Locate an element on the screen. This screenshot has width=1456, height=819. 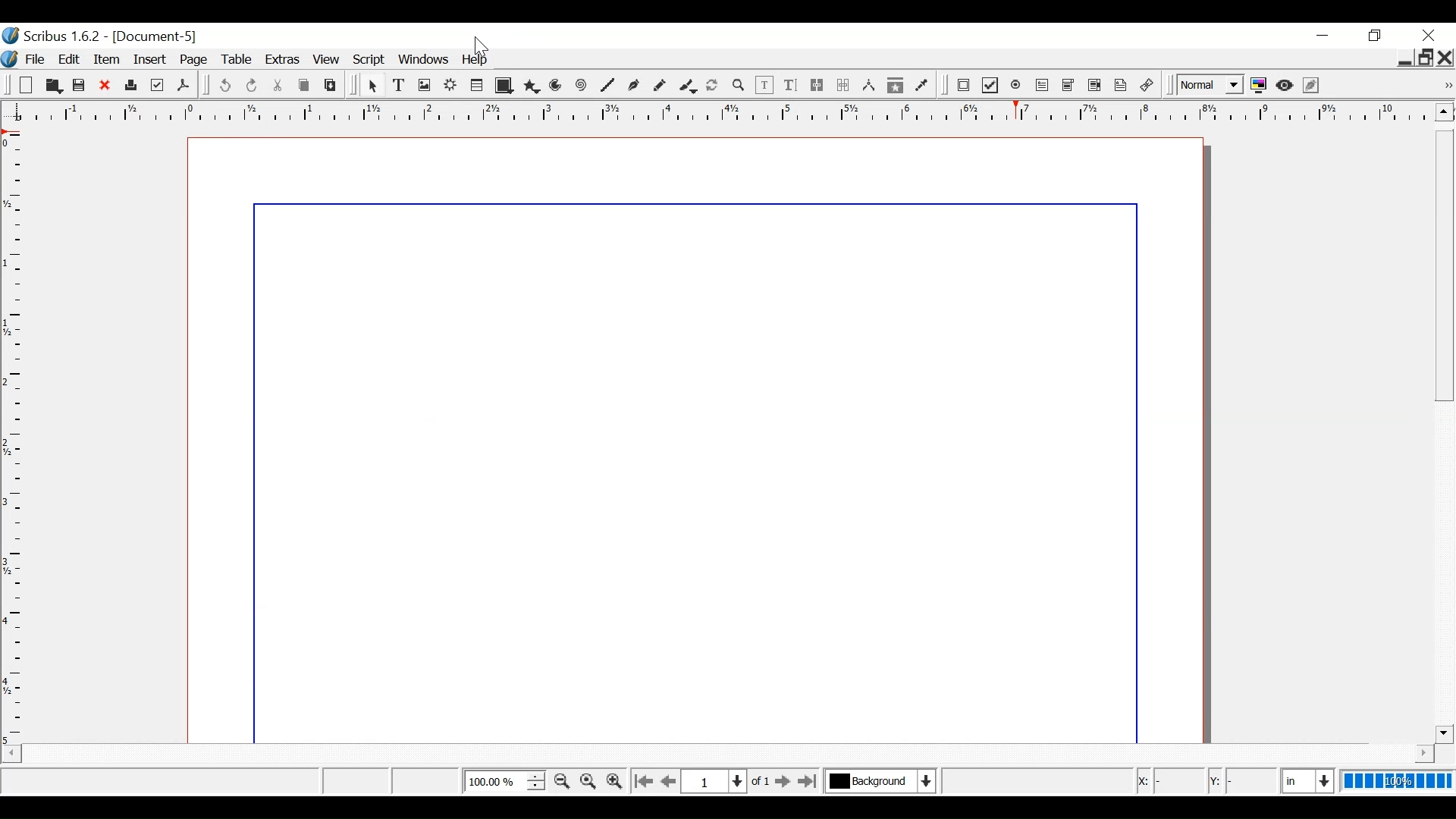
Save as PDF is located at coordinates (183, 85).